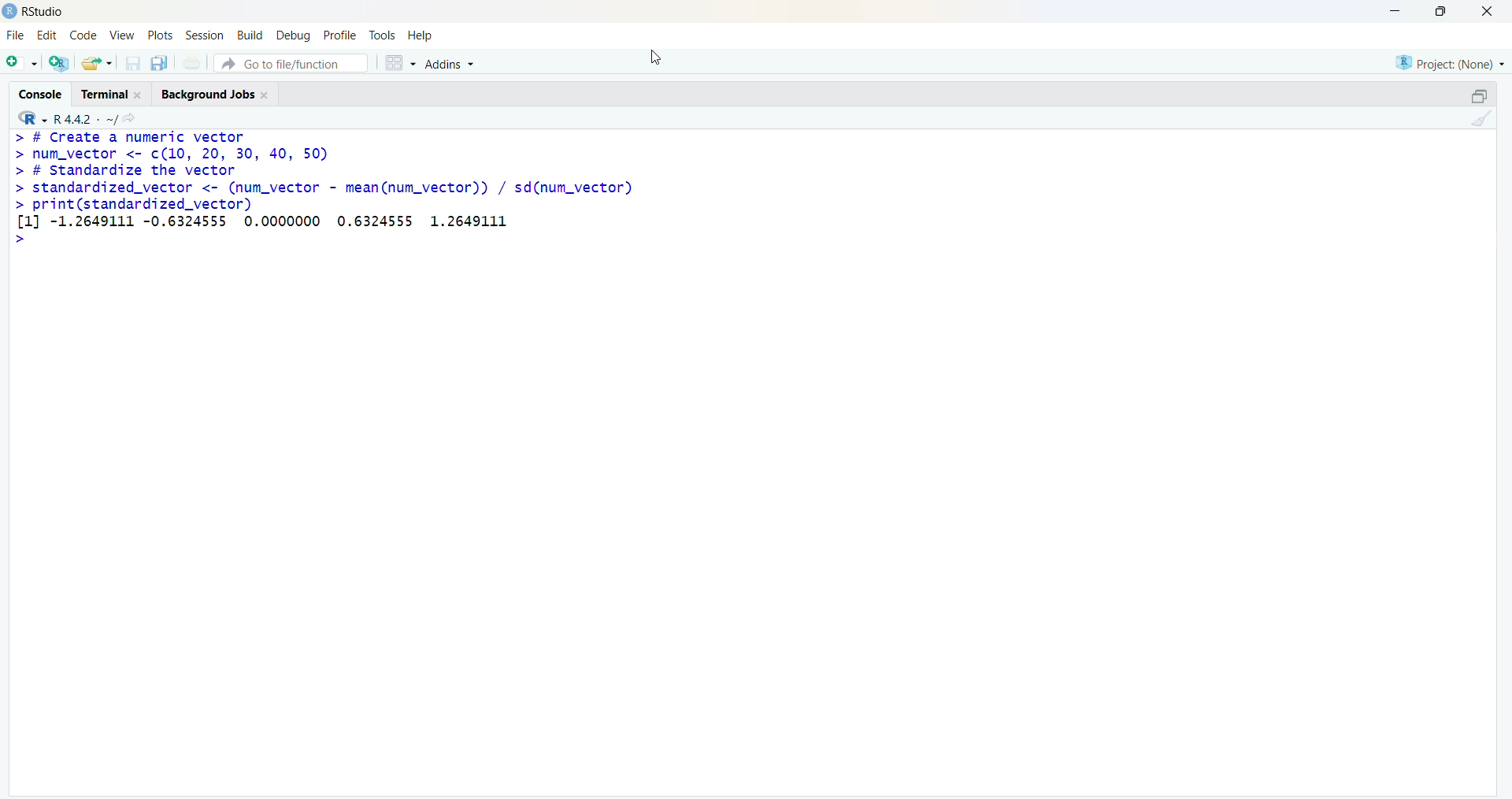 Image resolution: width=1512 pixels, height=799 pixels. Describe the element at coordinates (1450, 64) in the screenshot. I see `project (none)` at that location.